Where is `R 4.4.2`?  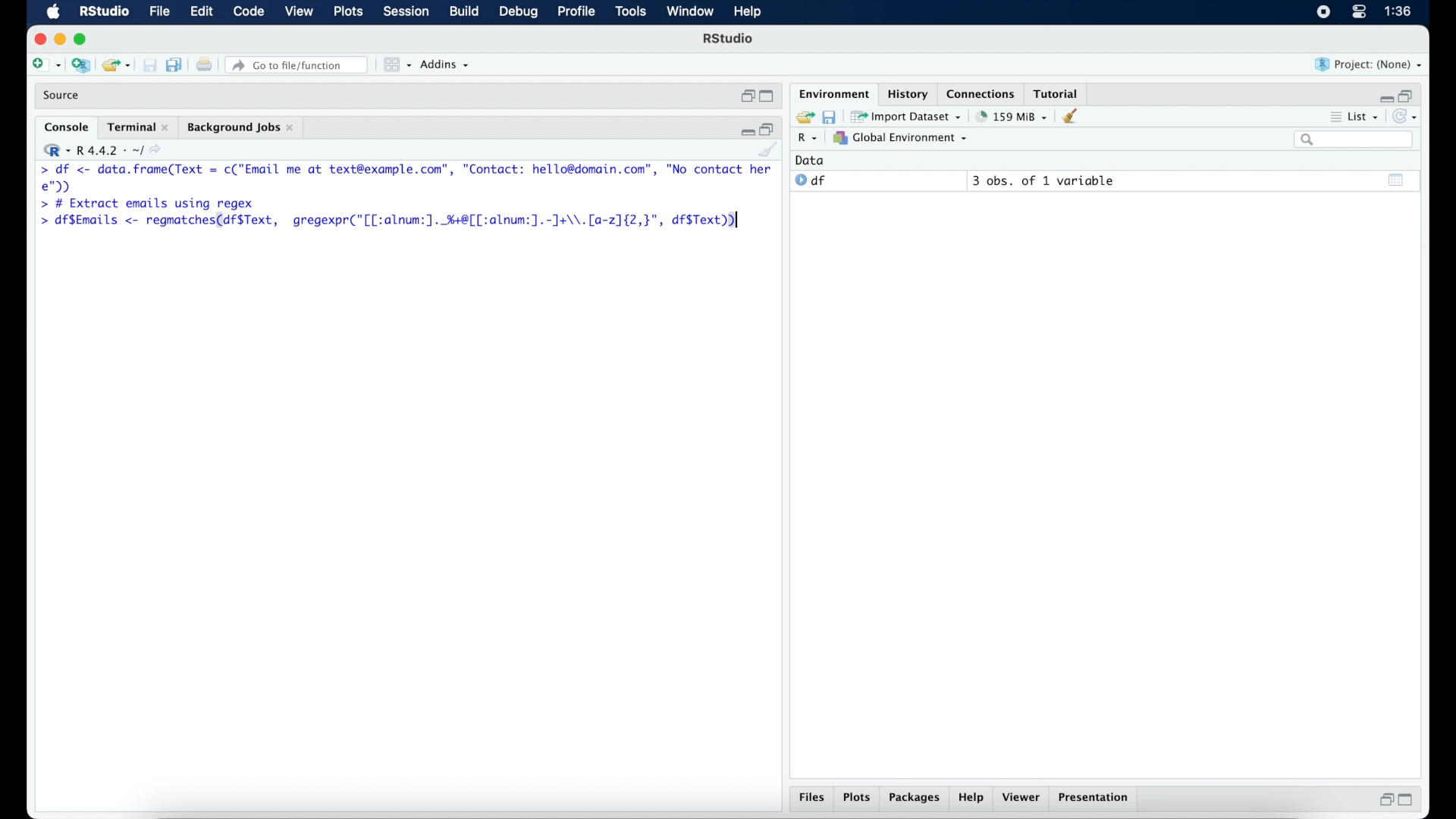 R 4.4.2 is located at coordinates (105, 150).